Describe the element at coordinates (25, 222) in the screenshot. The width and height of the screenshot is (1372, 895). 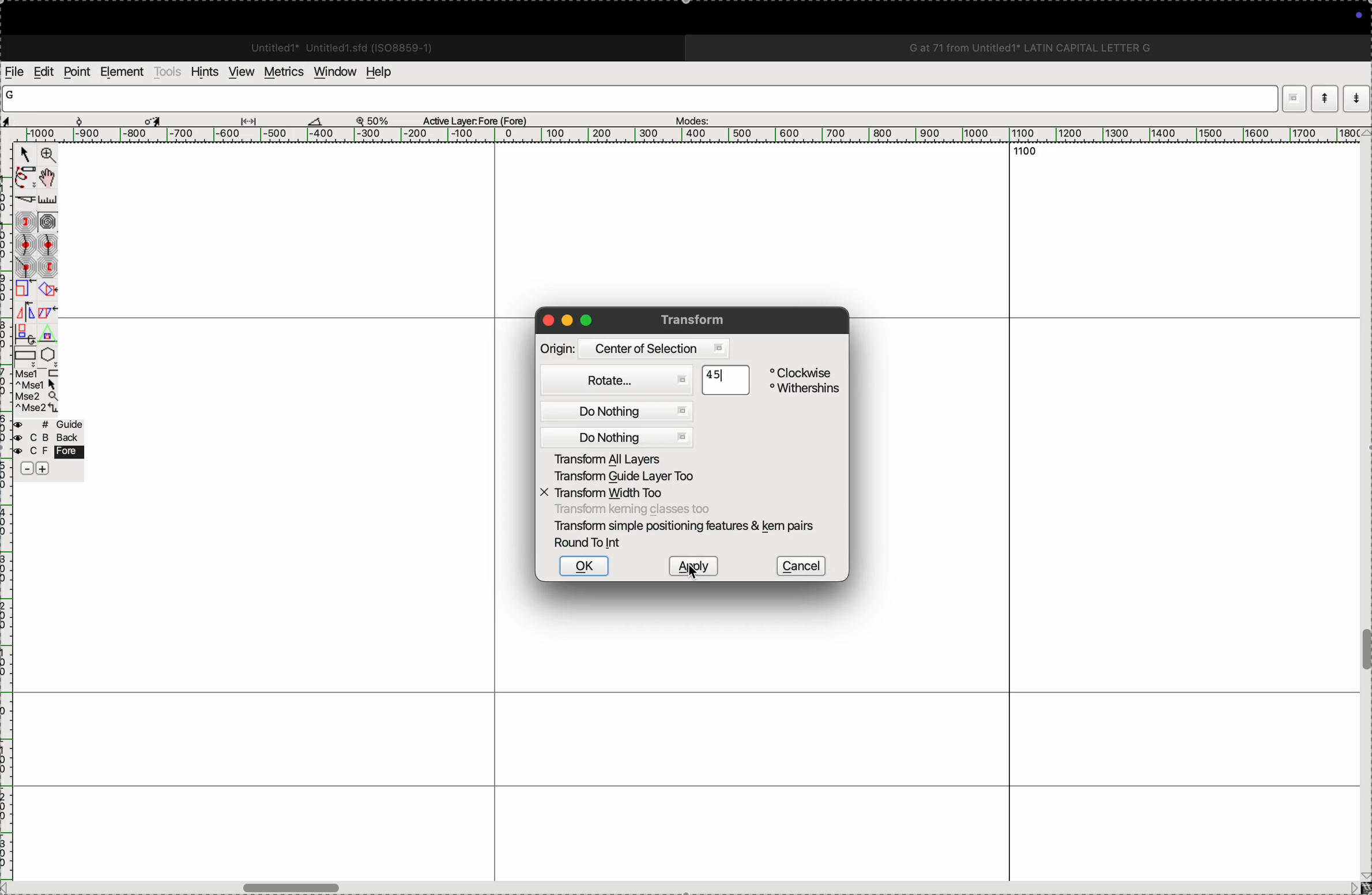
I see `next constraint point` at that location.